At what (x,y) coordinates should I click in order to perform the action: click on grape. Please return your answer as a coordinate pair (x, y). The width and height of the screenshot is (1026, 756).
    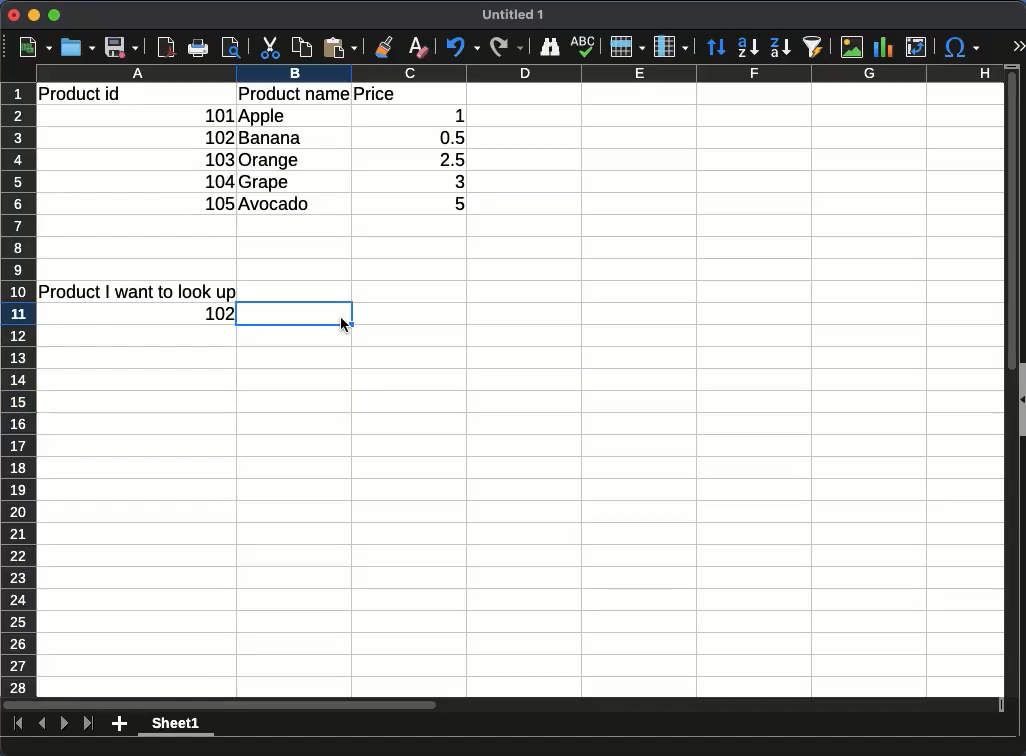
    Looking at the image, I should click on (265, 183).